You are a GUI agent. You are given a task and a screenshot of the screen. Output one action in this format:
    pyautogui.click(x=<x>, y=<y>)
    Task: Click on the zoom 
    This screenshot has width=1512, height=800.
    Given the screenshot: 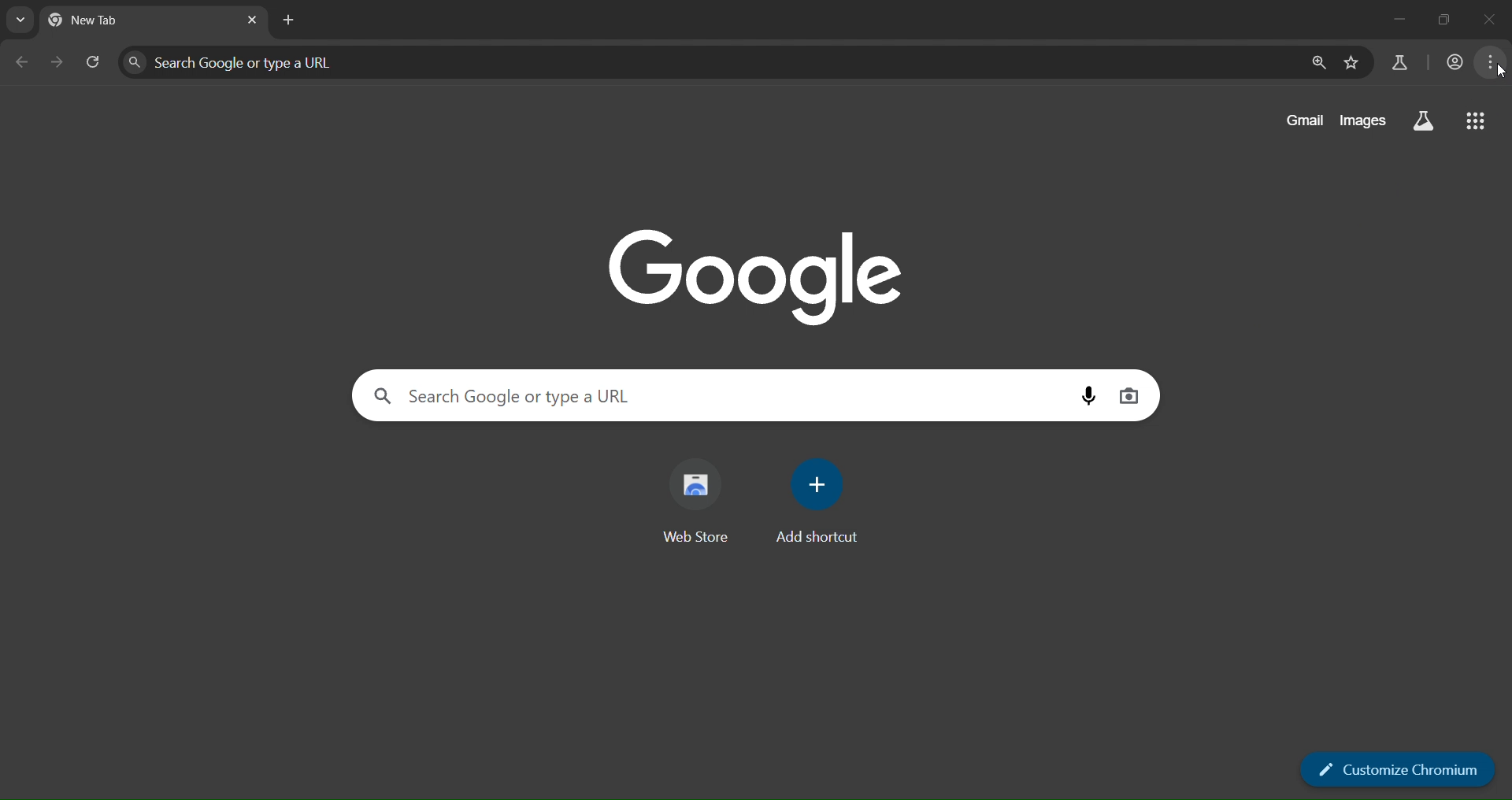 What is the action you would take?
    pyautogui.click(x=1321, y=64)
    